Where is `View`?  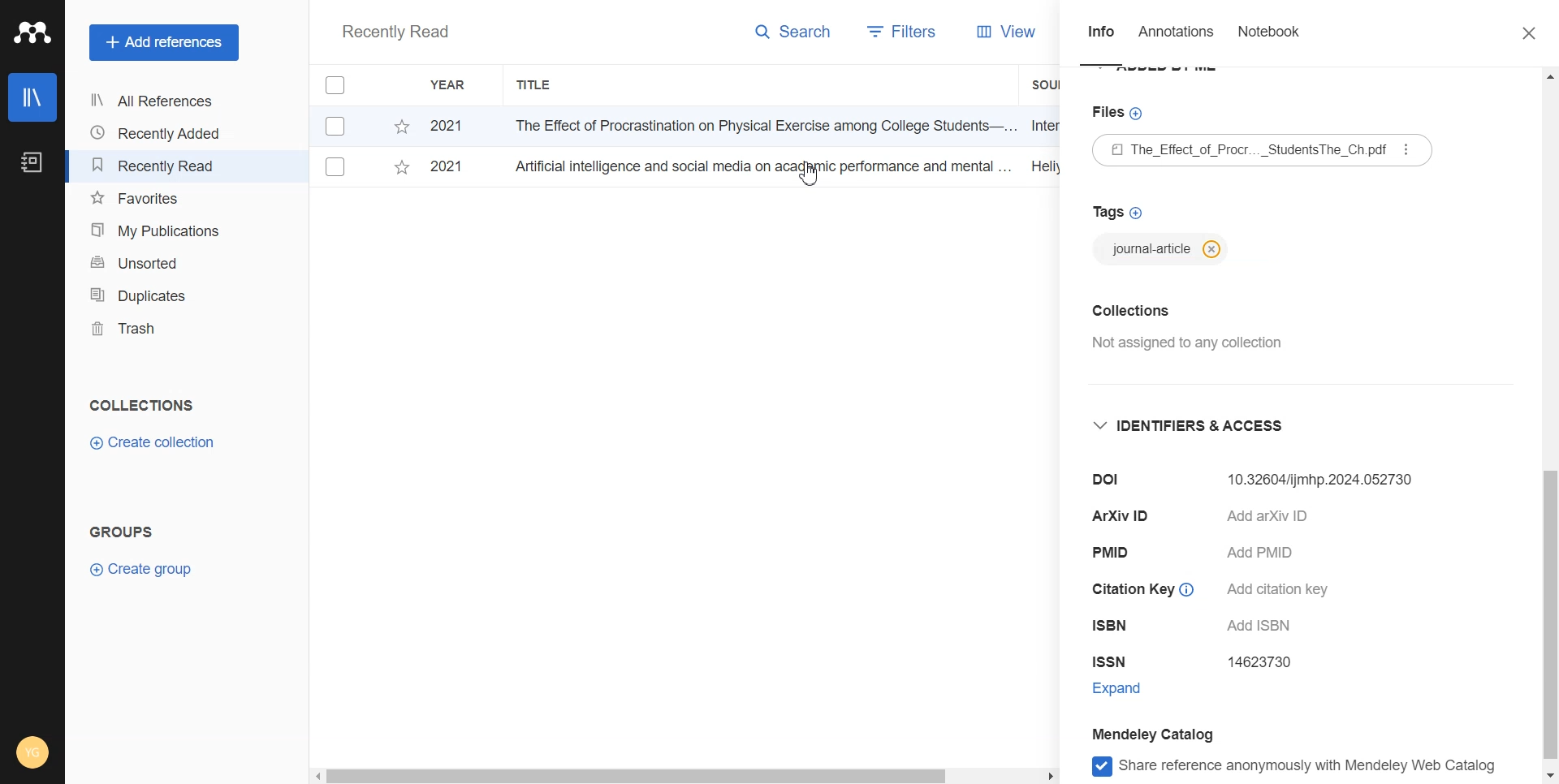
View is located at coordinates (992, 32).